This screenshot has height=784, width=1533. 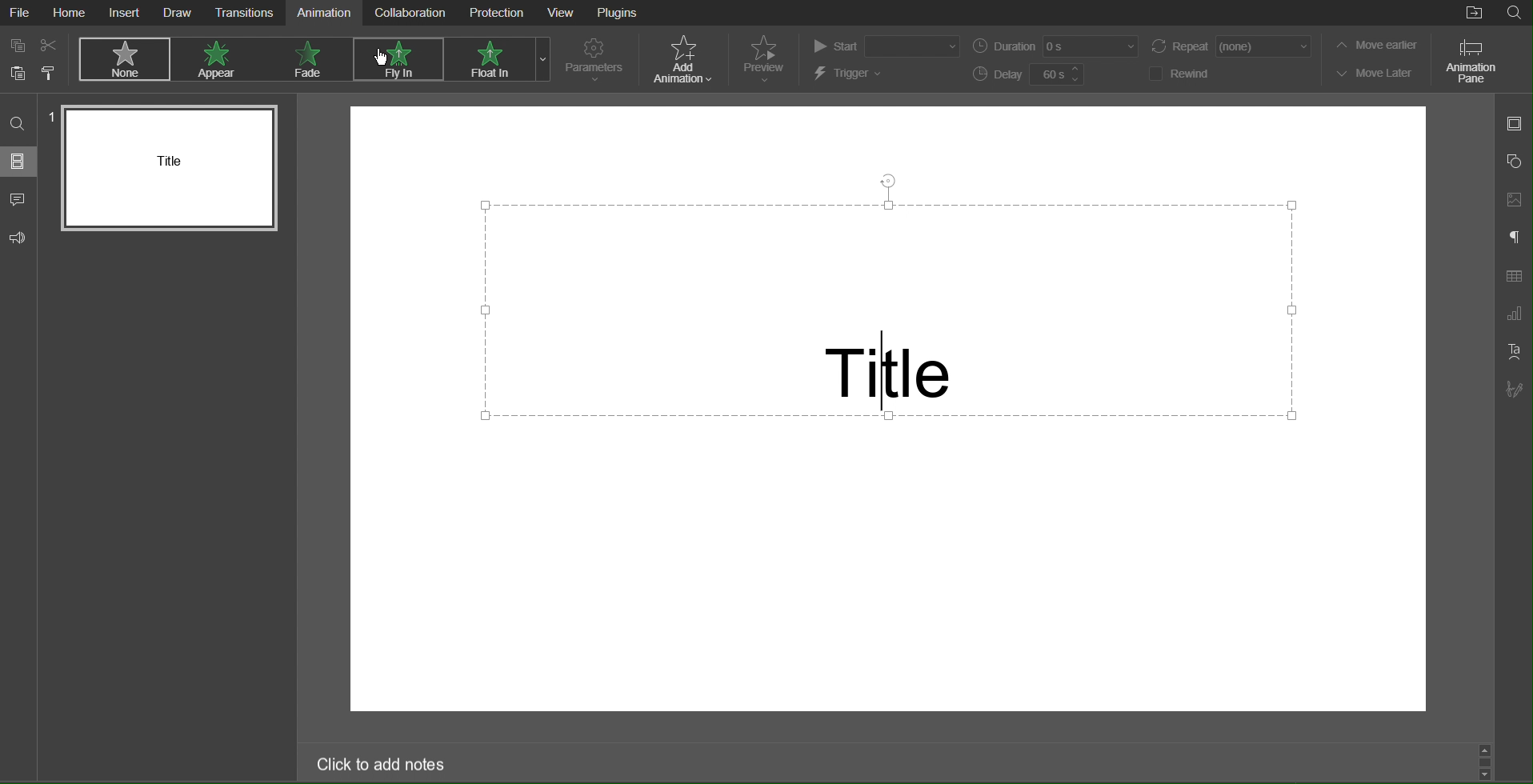 I want to click on Animation Pane, so click(x=1471, y=60).